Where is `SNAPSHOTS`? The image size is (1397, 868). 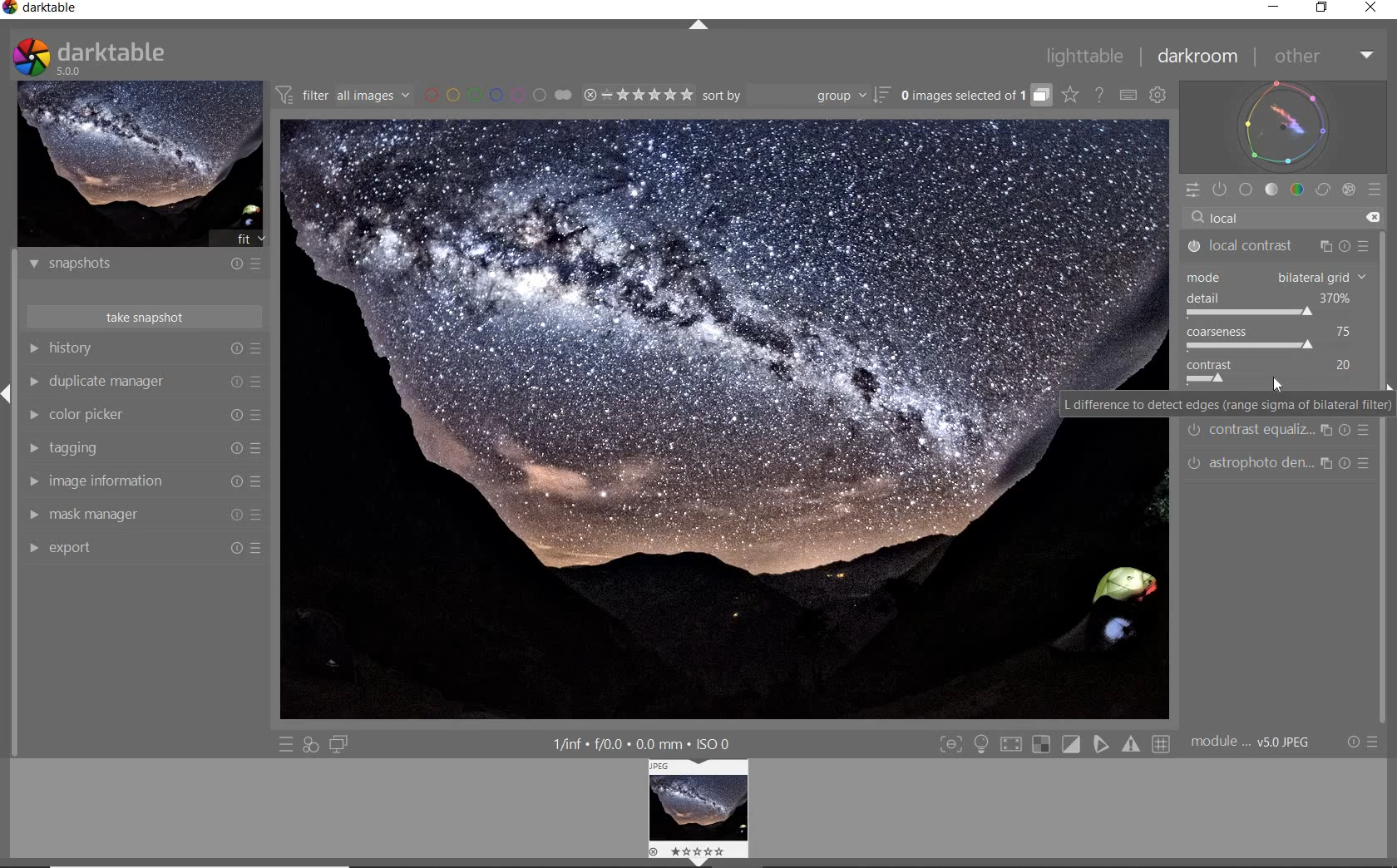
SNAPSHOTS is located at coordinates (146, 264).